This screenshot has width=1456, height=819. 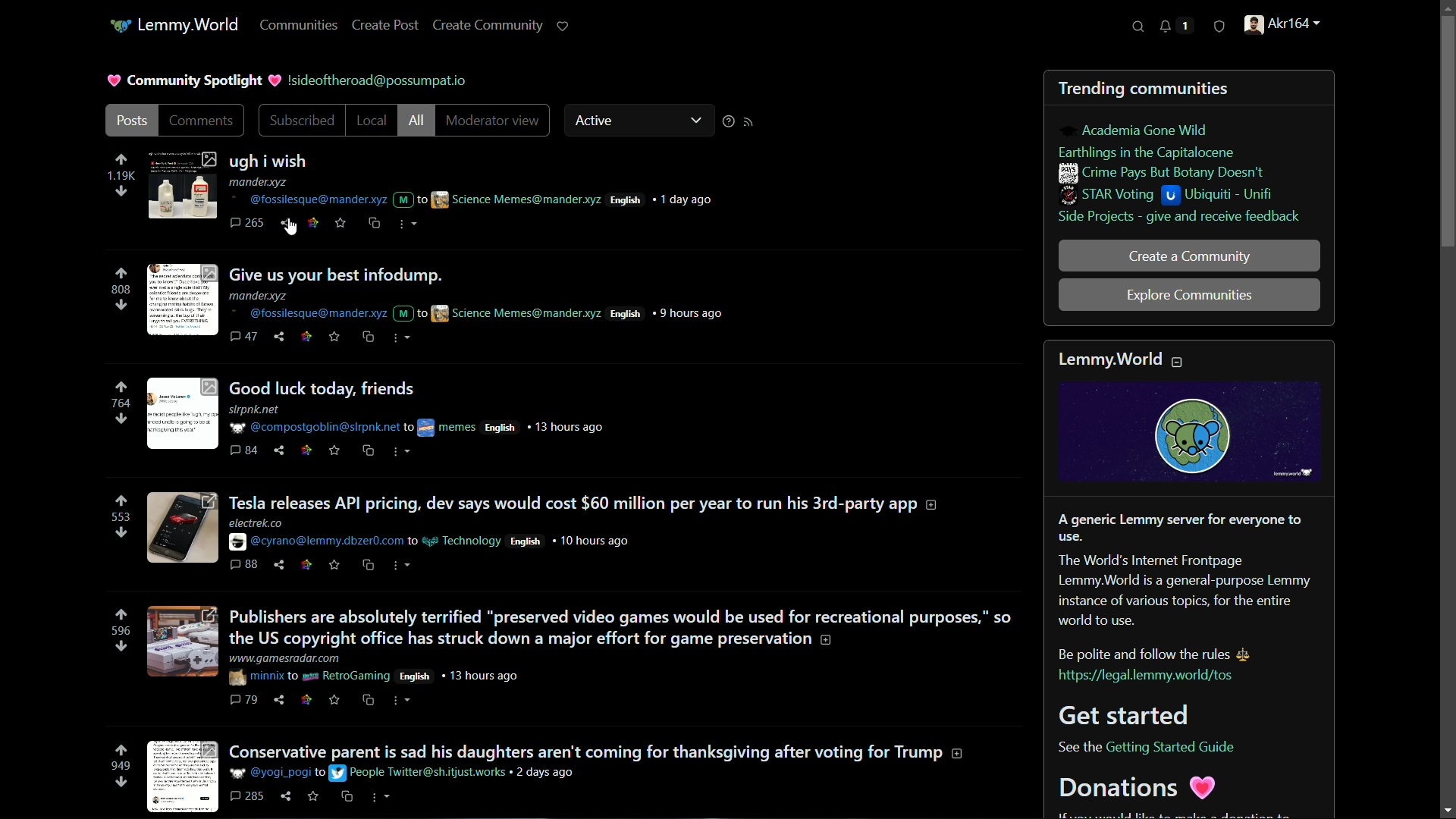 I want to click on science memes@mander.xyz, so click(x=516, y=312).